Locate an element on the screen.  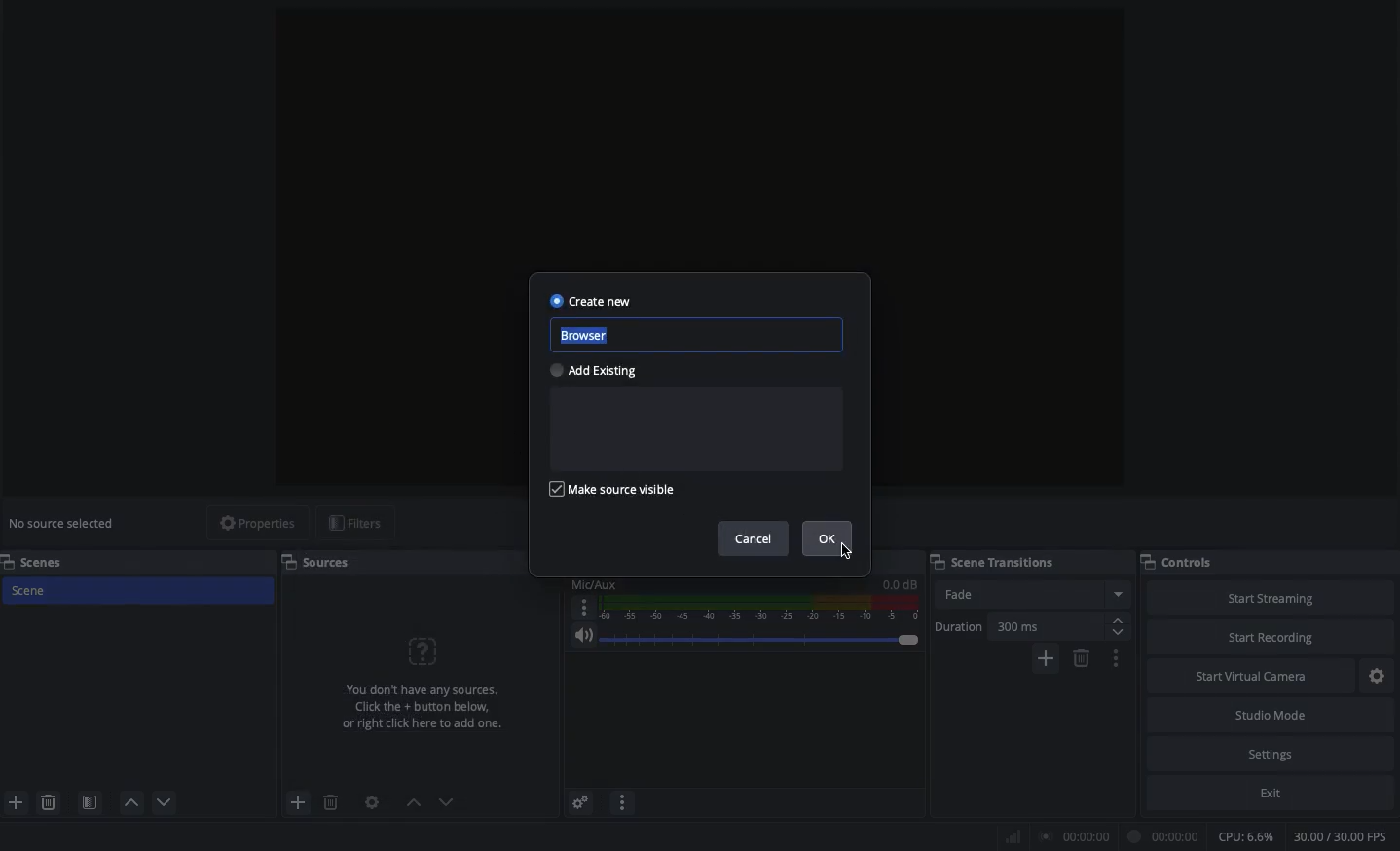
Remove is located at coordinates (1082, 658).